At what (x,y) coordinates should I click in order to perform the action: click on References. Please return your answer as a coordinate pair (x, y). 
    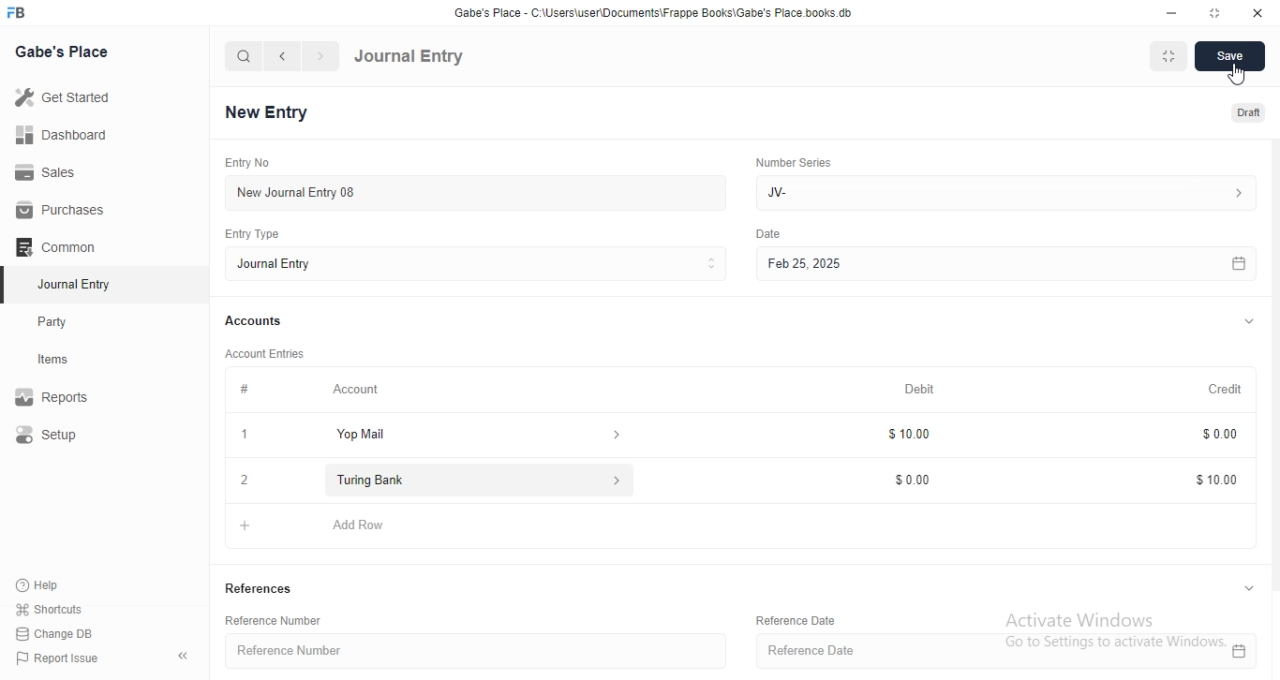
    Looking at the image, I should click on (262, 588).